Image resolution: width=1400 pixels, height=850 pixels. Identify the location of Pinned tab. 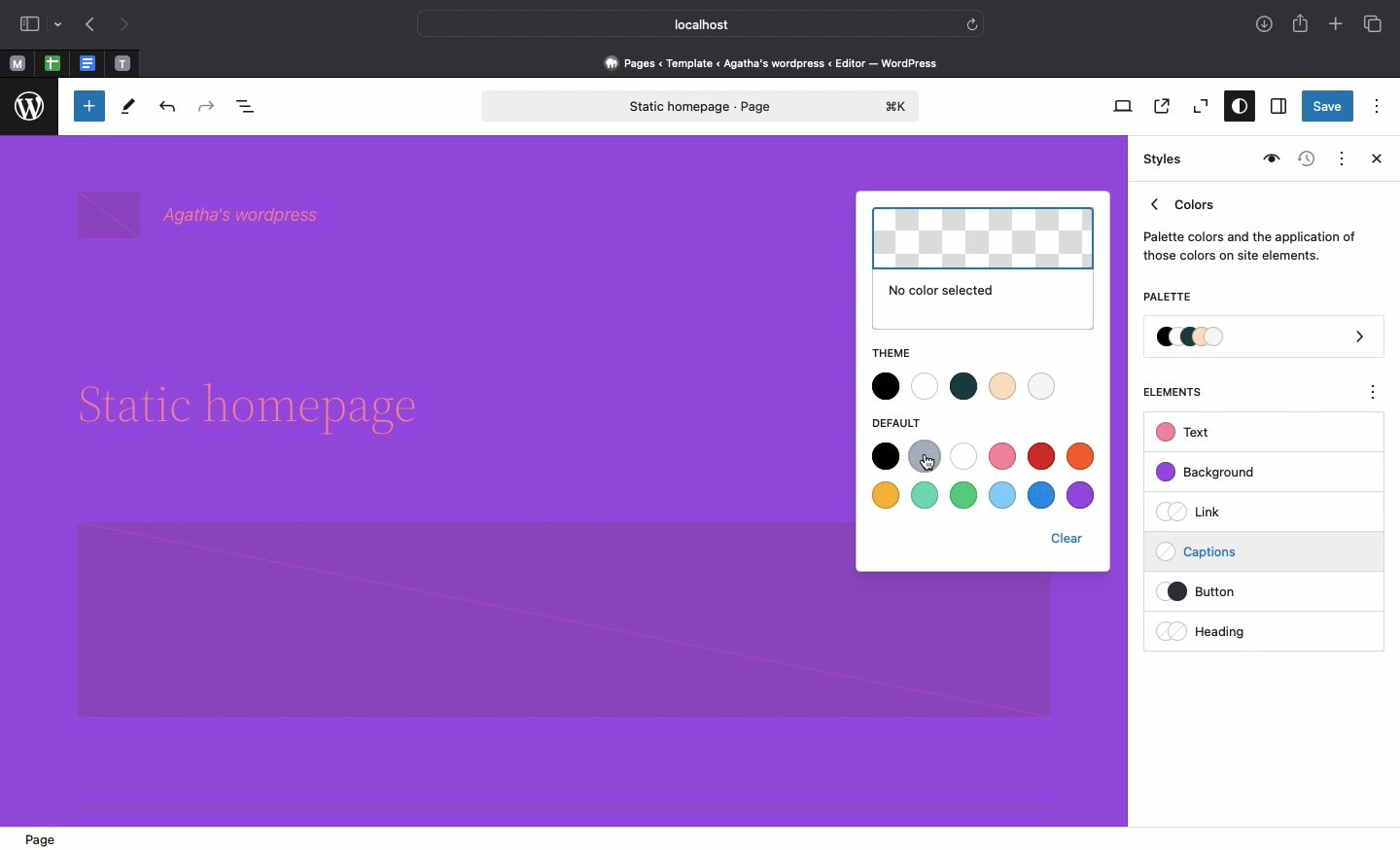
(123, 64).